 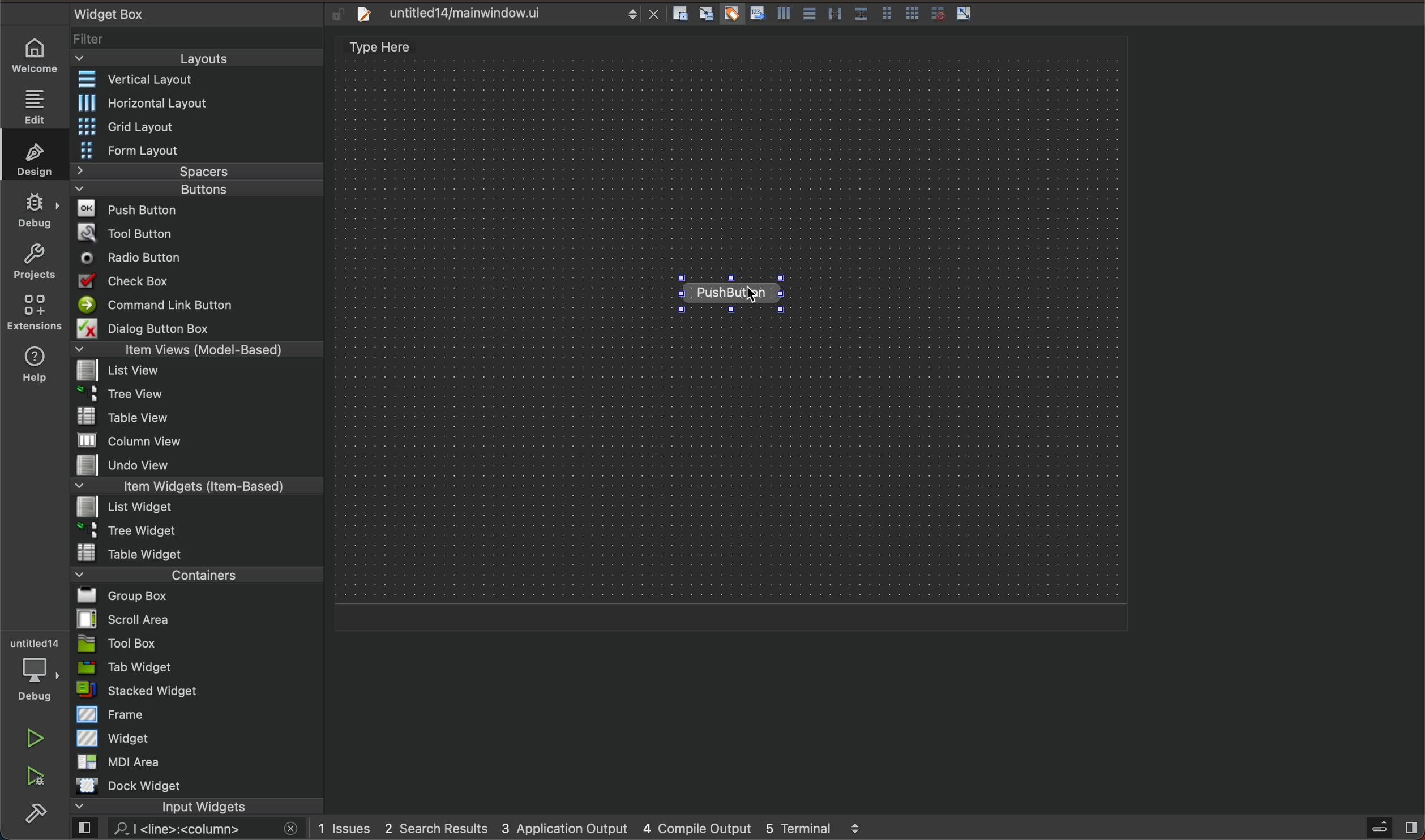 What do you see at coordinates (734, 333) in the screenshot?
I see `design area` at bounding box center [734, 333].